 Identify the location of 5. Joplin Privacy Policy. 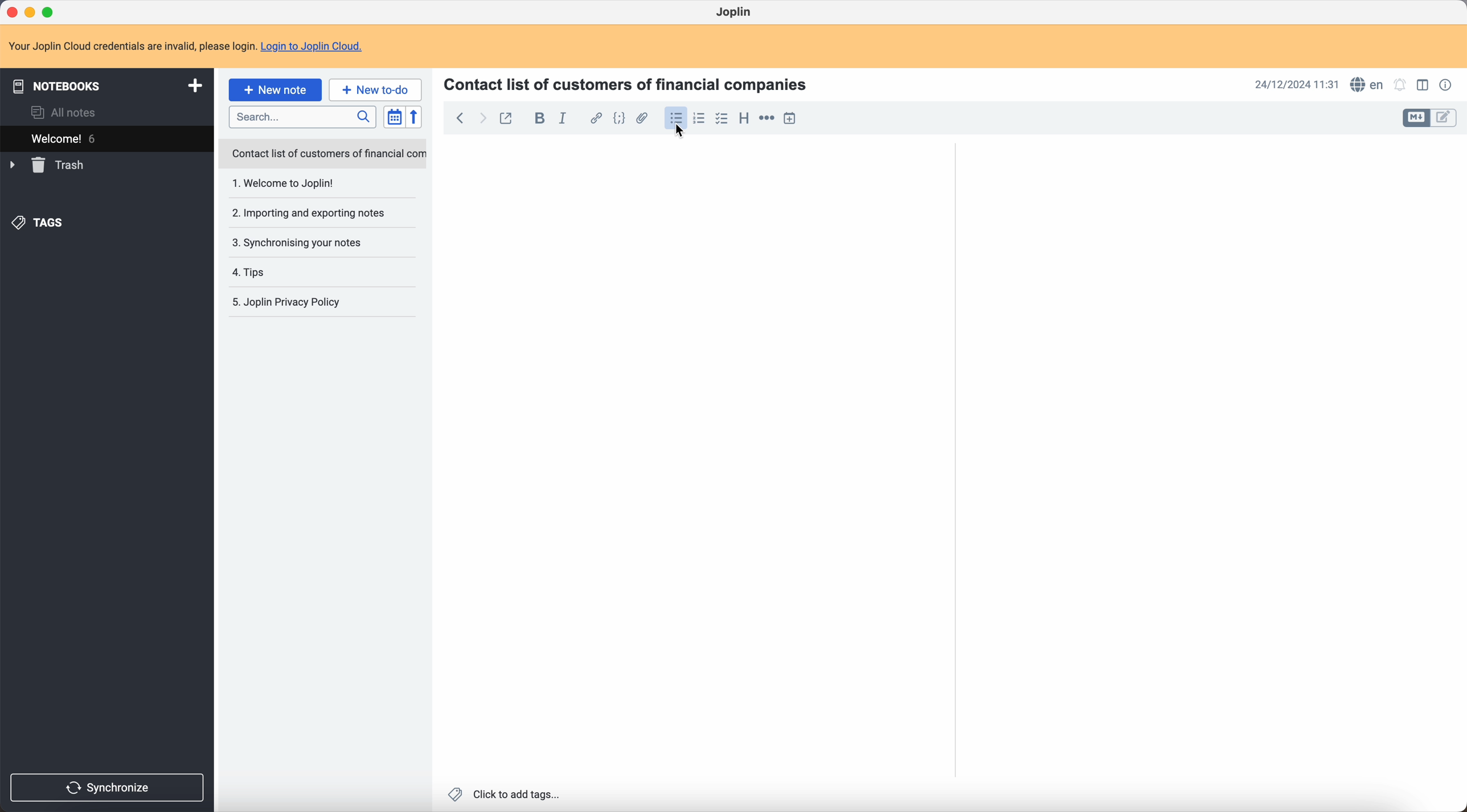
(294, 303).